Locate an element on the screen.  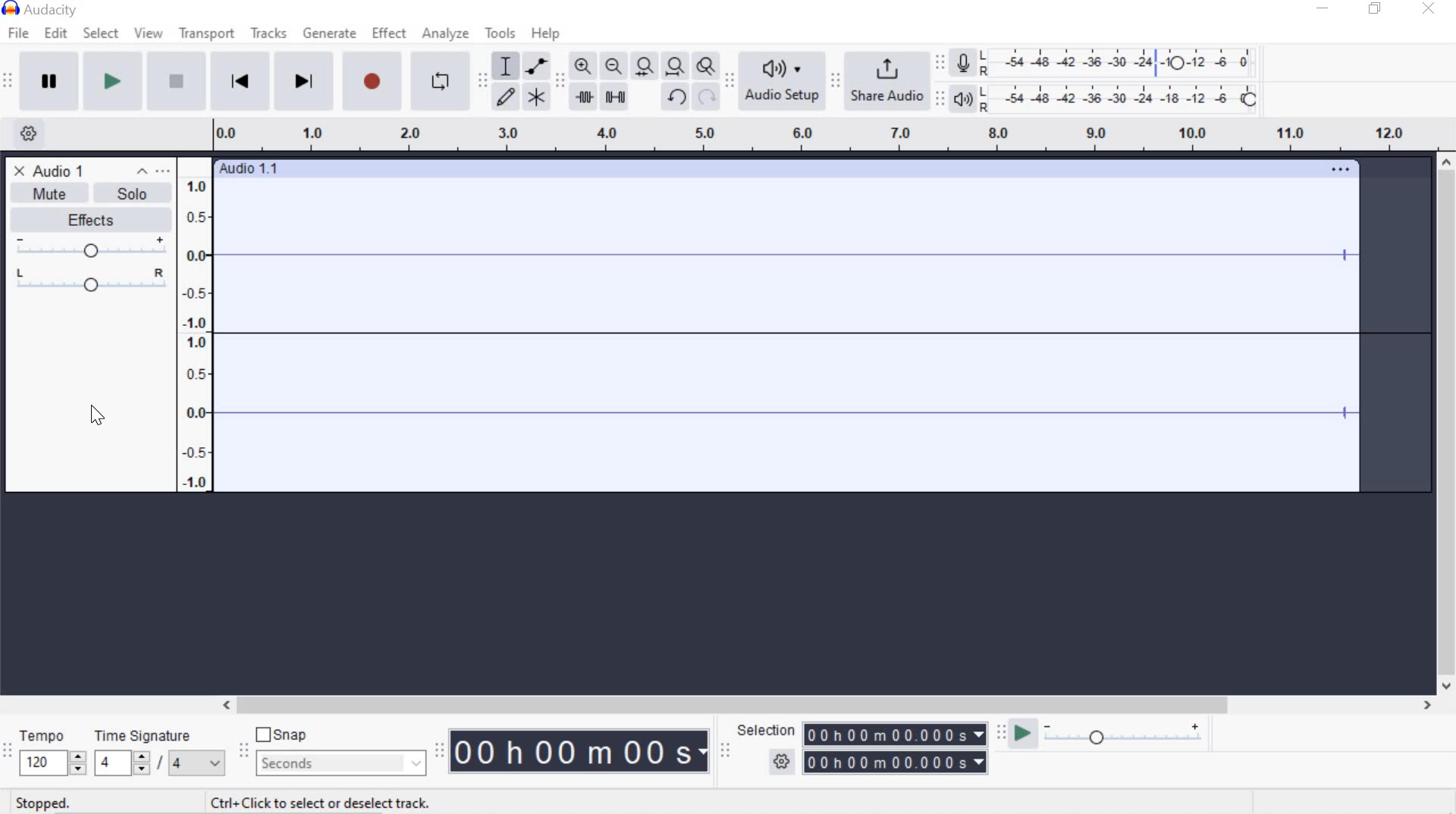
CLOSE is located at coordinates (17, 170).